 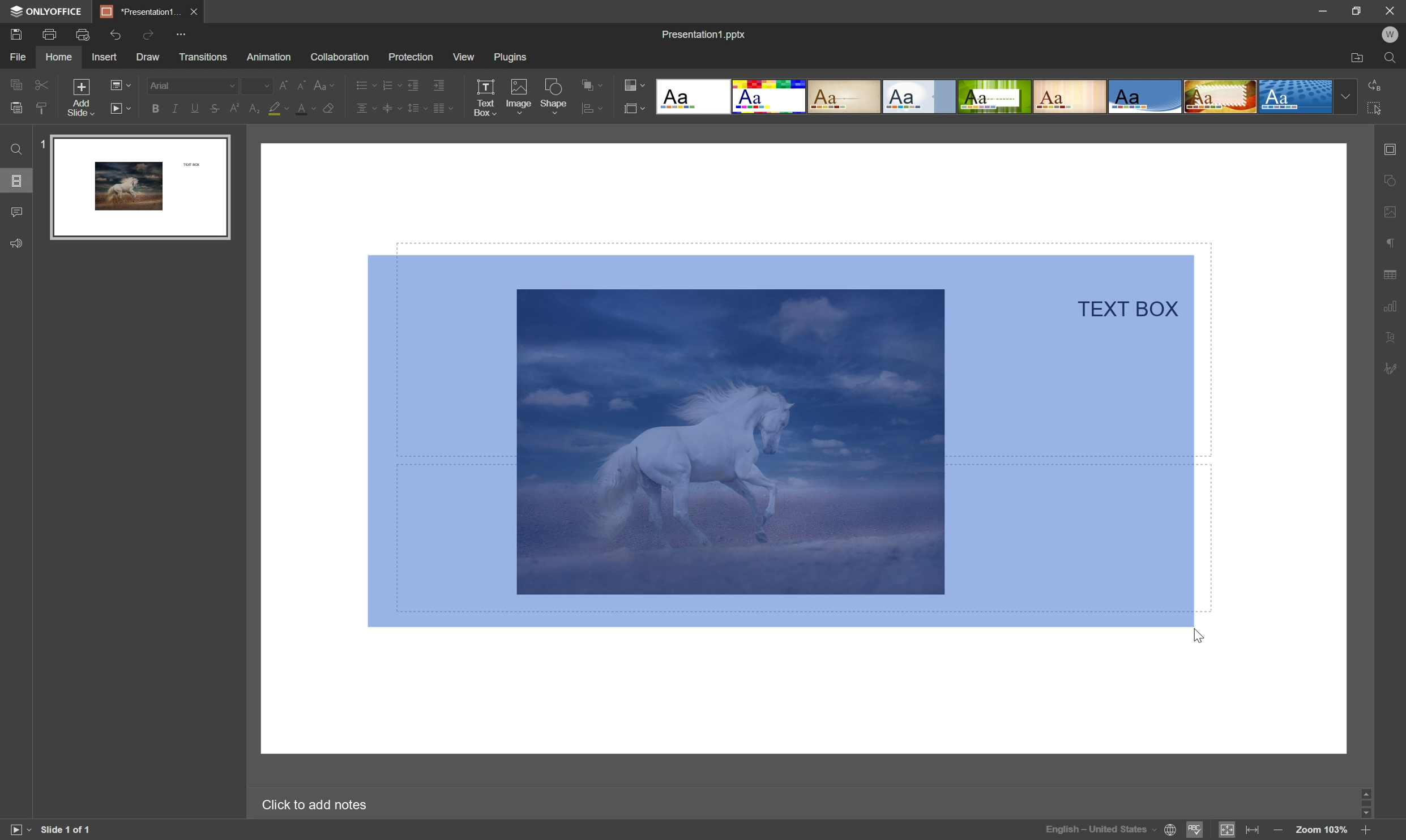 I want to click on Office, so click(x=1146, y=97).